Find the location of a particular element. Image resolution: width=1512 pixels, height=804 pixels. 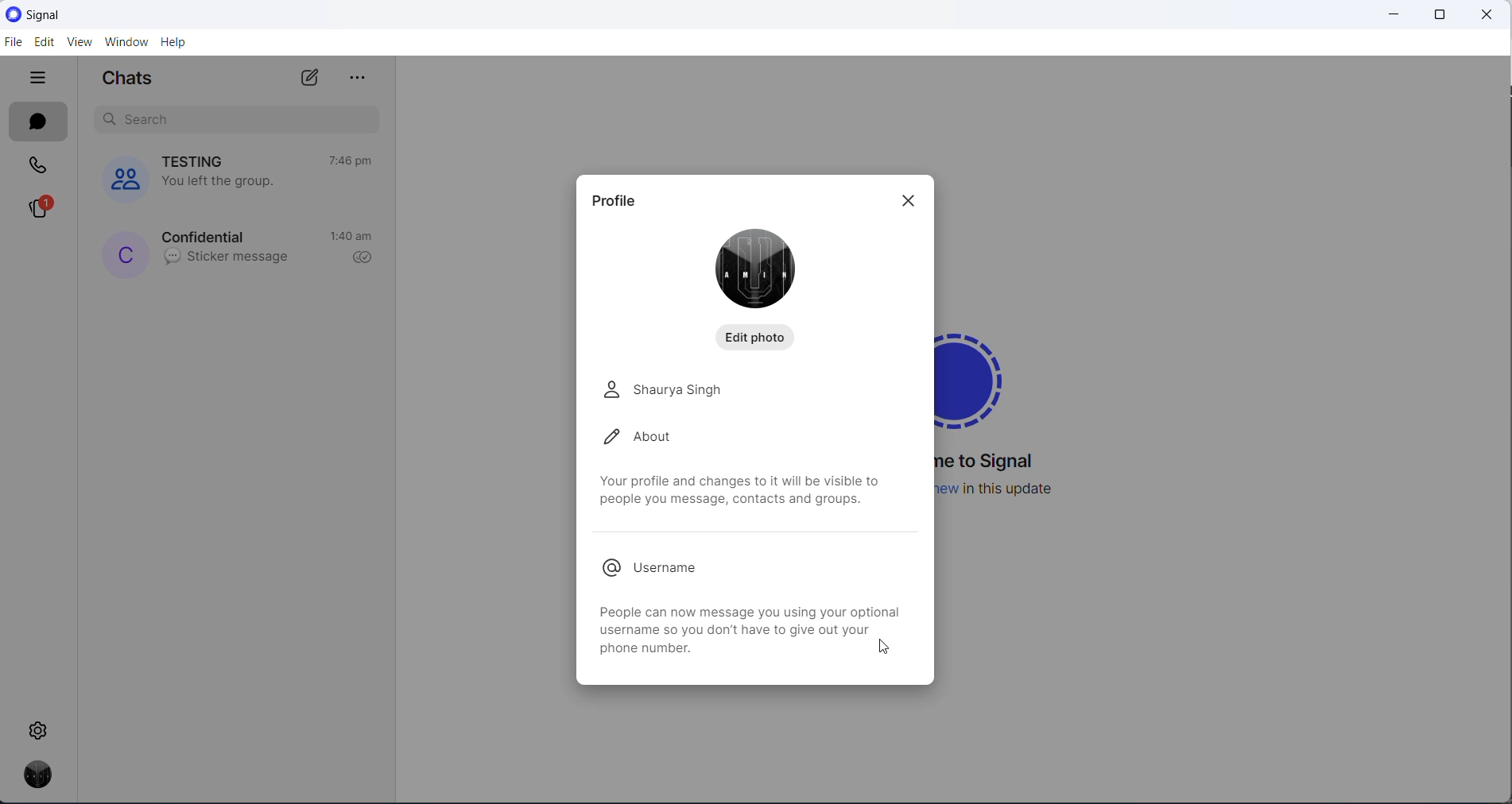

WINDOW is located at coordinates (126, 42).